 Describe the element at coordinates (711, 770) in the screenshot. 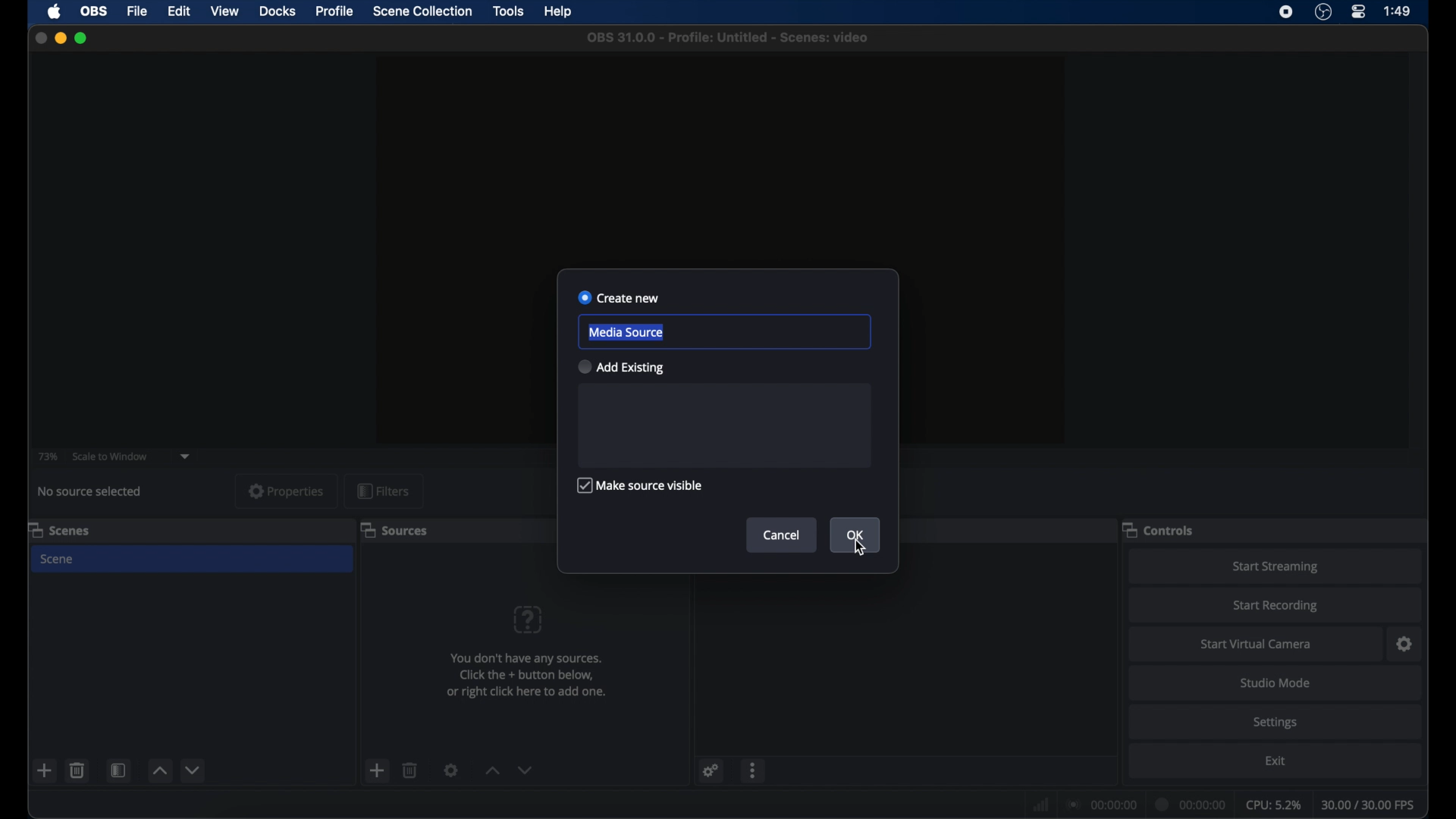

I see `settings` at that location.